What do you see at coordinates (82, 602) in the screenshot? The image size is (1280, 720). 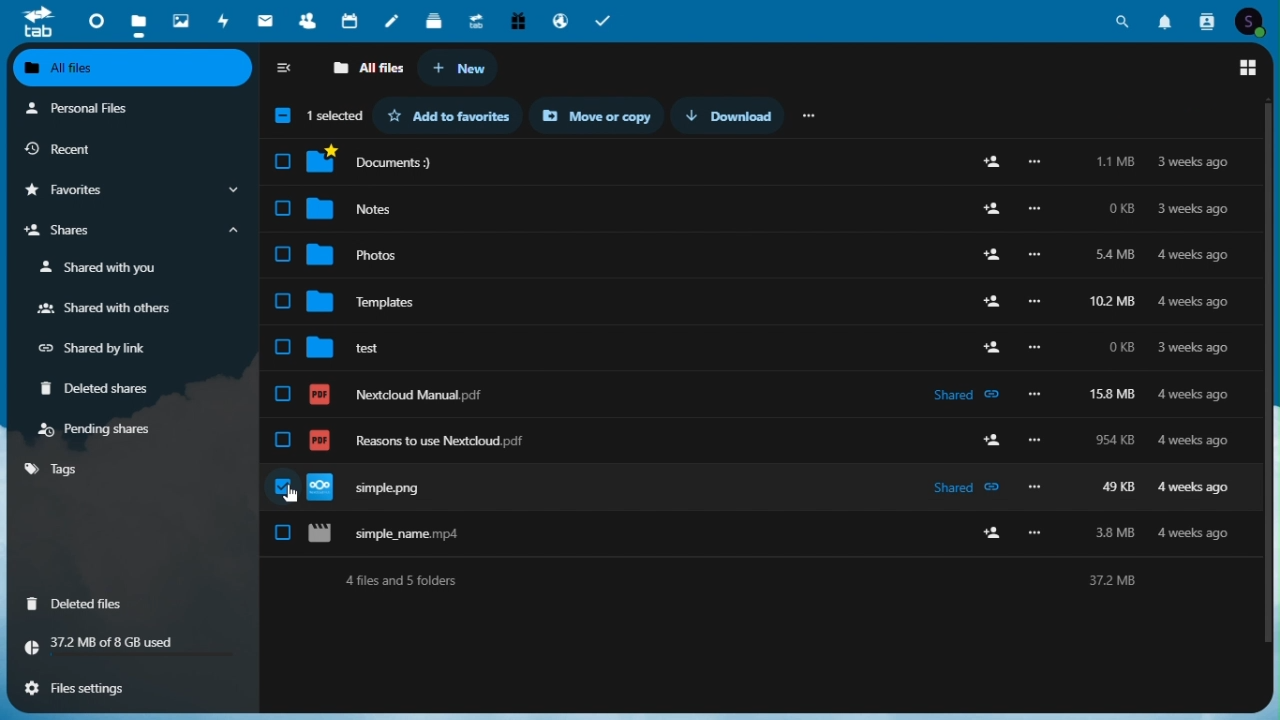 I see `deleted files` at bounding box center [82, 602].